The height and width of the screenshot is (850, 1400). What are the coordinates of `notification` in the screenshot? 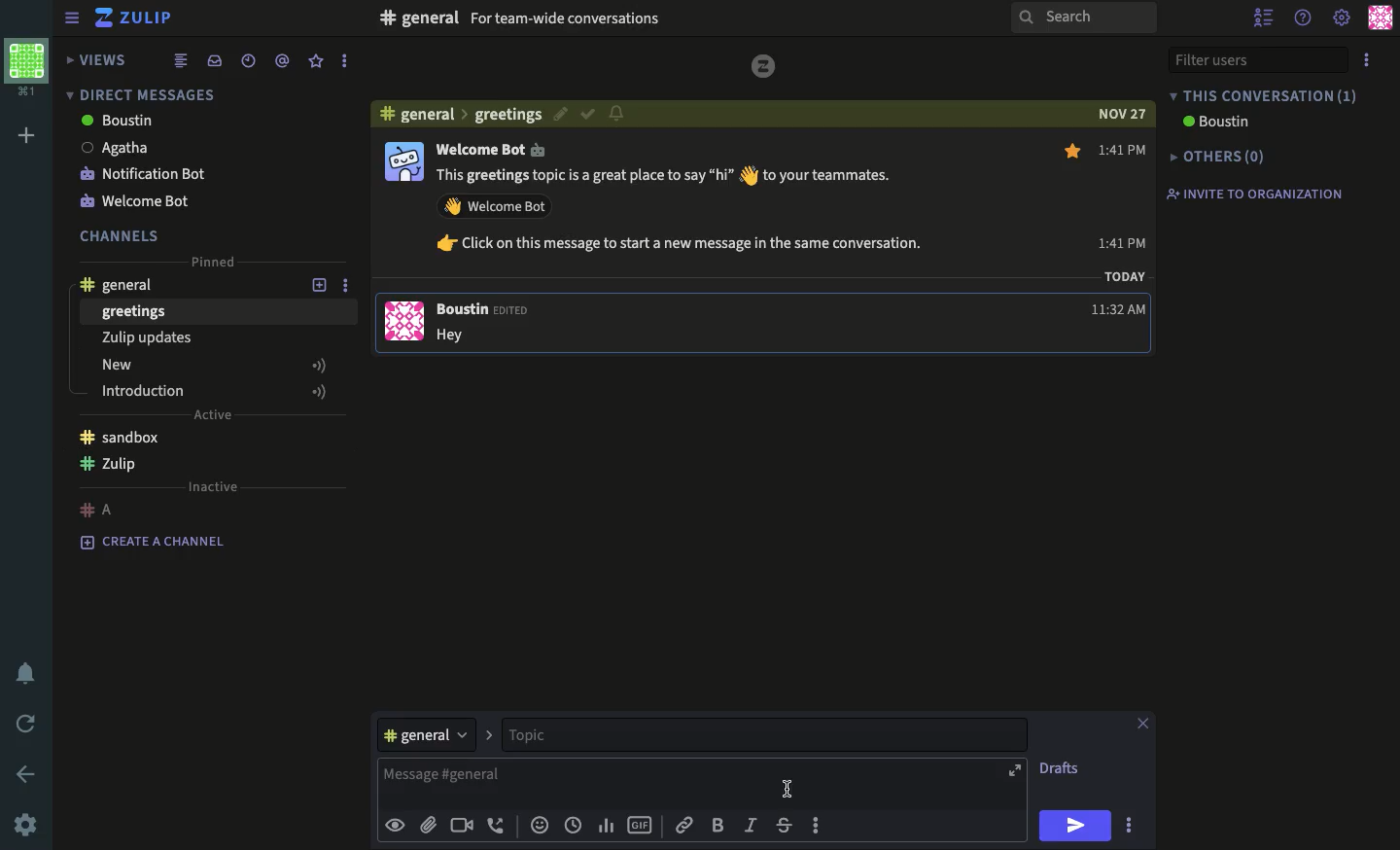 It's located at (617, 114).